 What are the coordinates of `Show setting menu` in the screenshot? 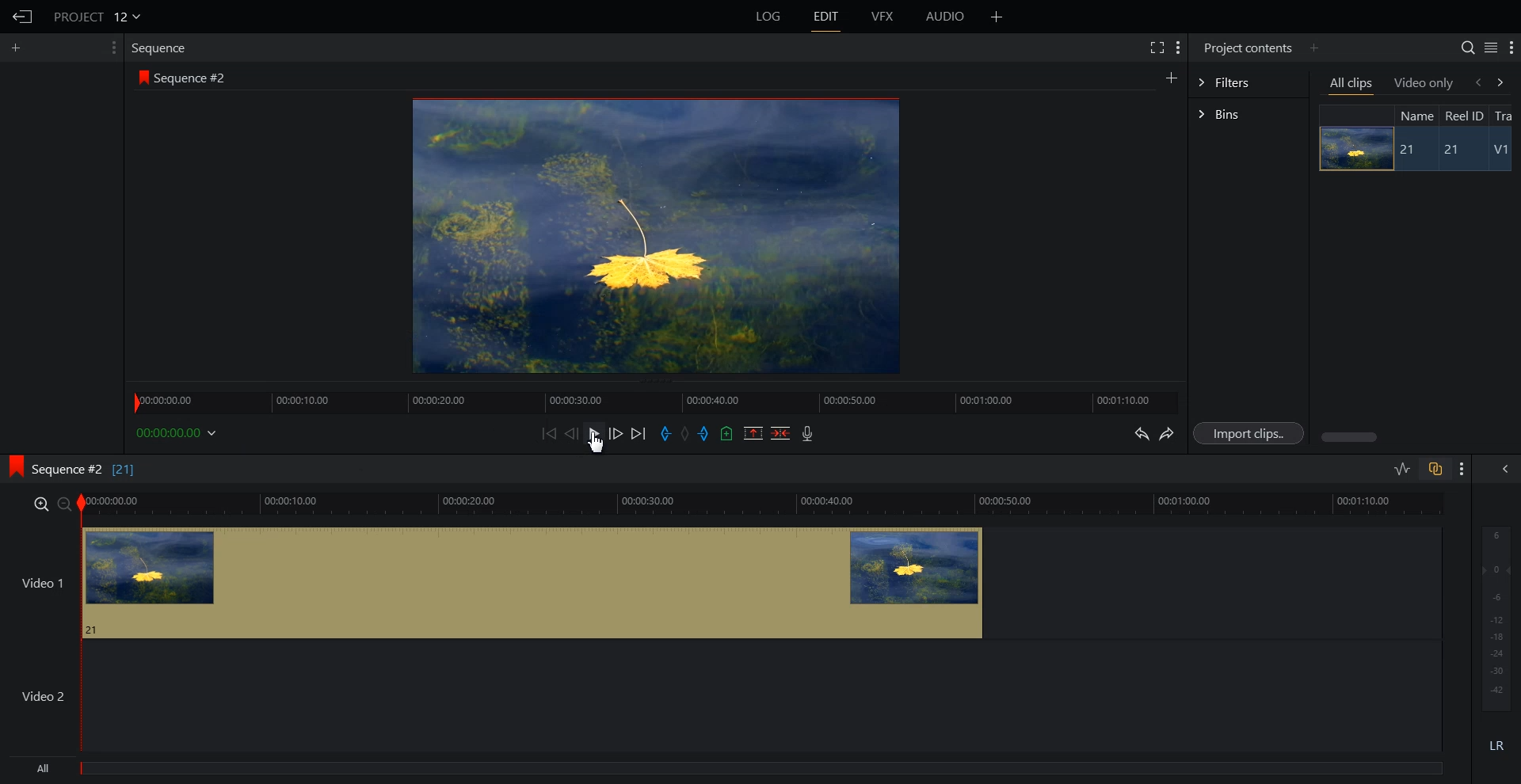 It's located at (1511, 48).